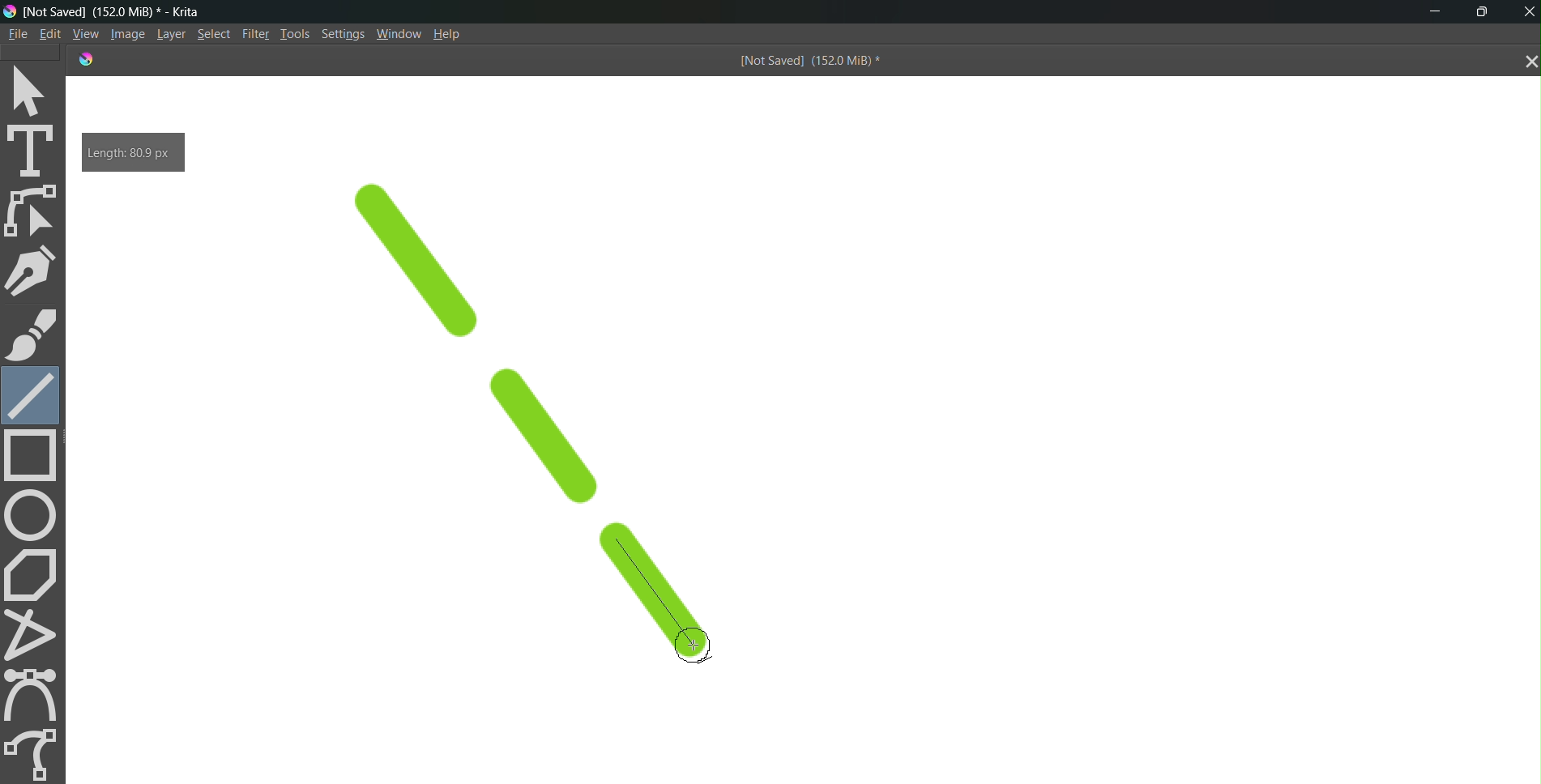  What do you see at coordinates (35, 89) in the screenshot?
I see `select` at bounding box center [35, 89].